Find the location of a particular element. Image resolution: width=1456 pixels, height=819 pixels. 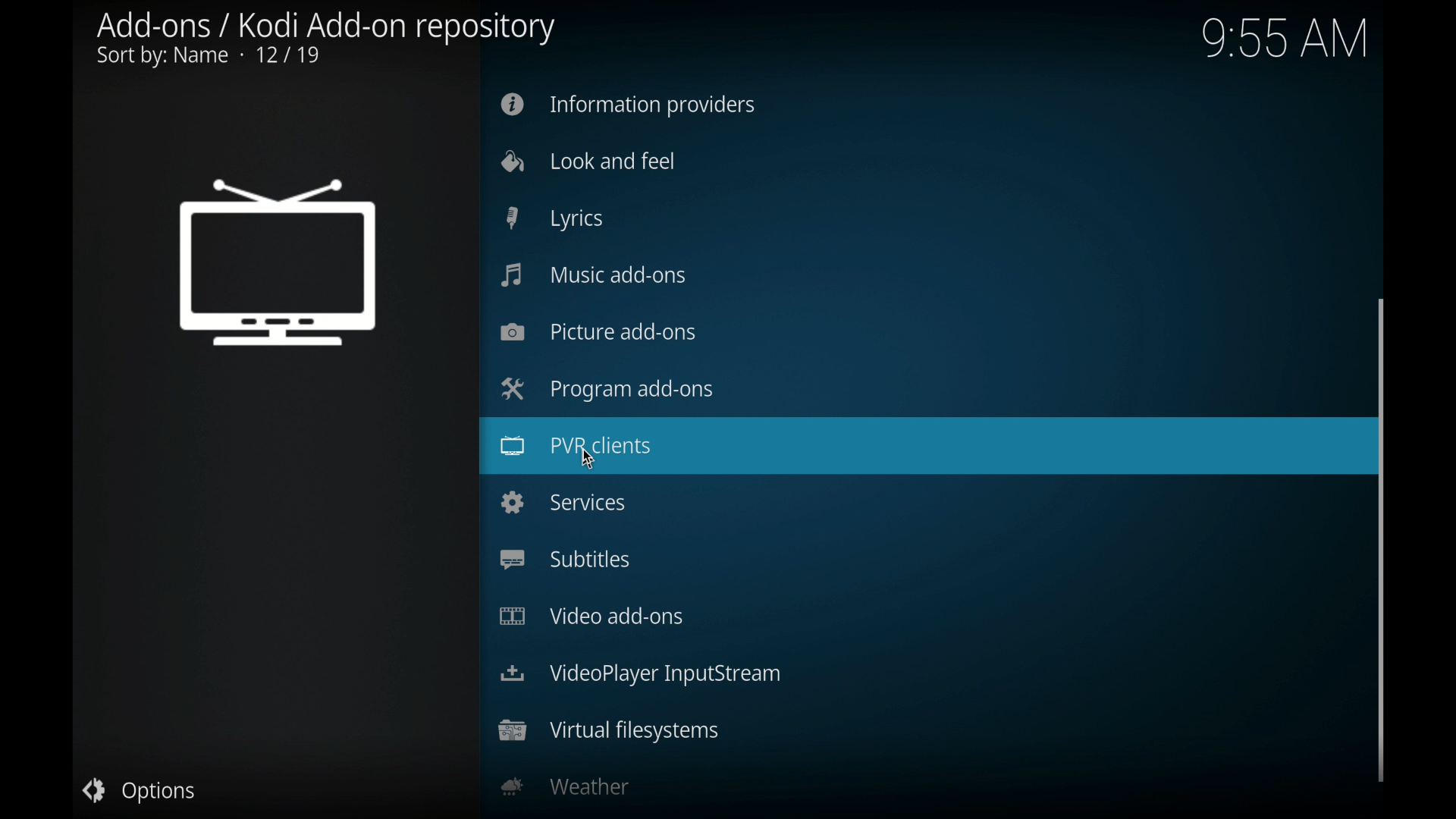

time is located at coordinates (1287, 39).